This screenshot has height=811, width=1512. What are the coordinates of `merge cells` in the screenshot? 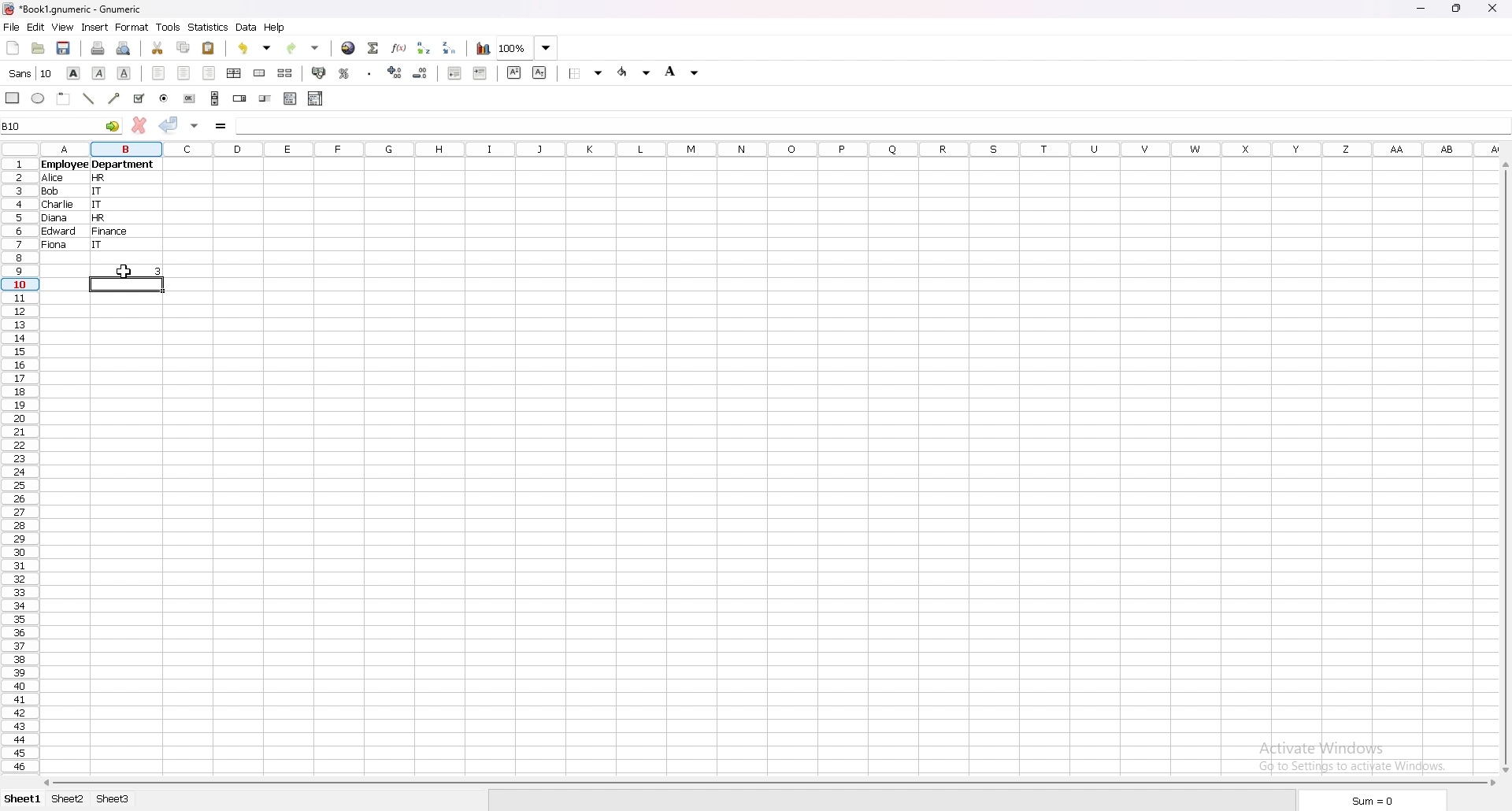 It's located at (260, 73).